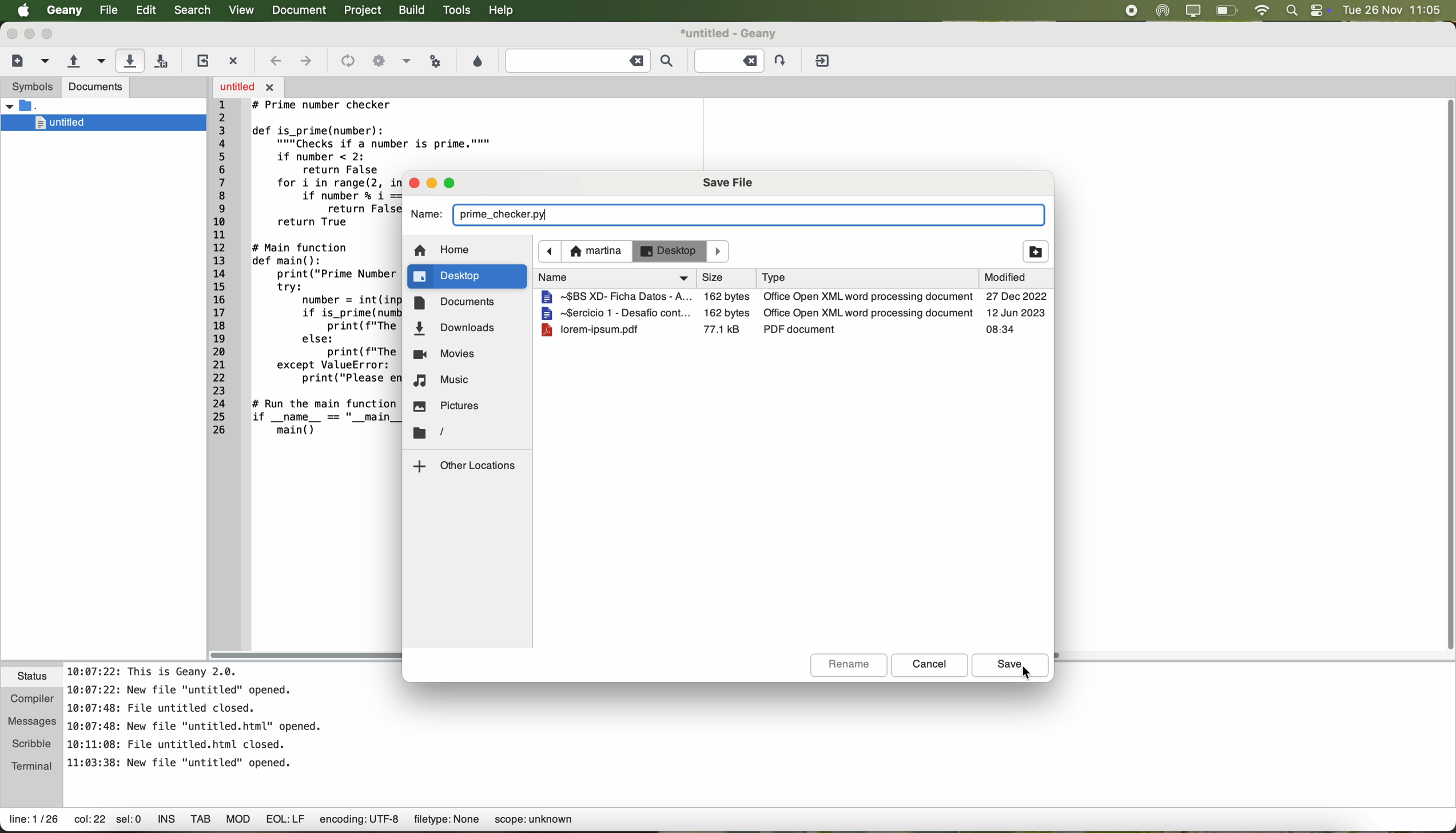  I want to click on pictures, so click(450, 406).